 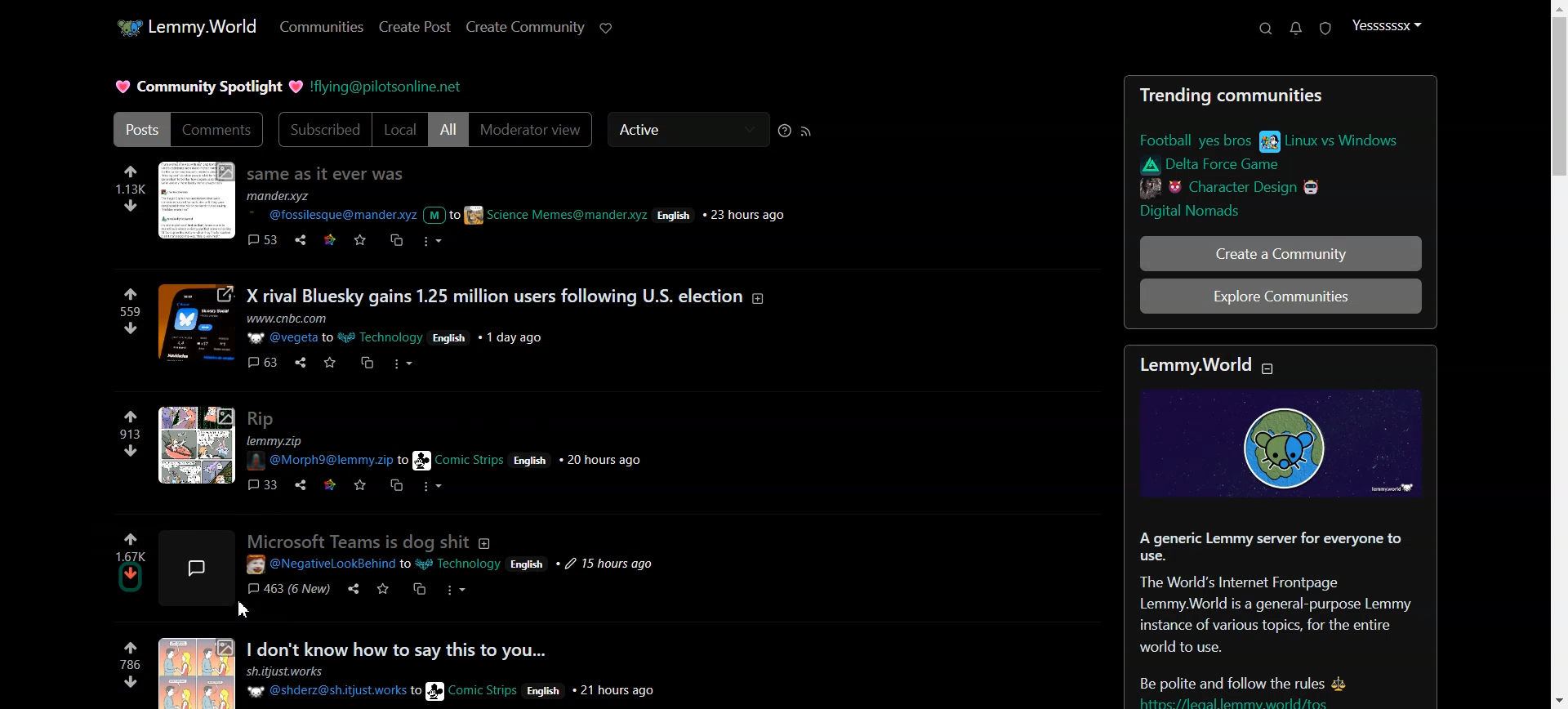 What do you see at coordinates (367, 363) in the screenshot?
I see `cs` at bounding box center [367, 363].